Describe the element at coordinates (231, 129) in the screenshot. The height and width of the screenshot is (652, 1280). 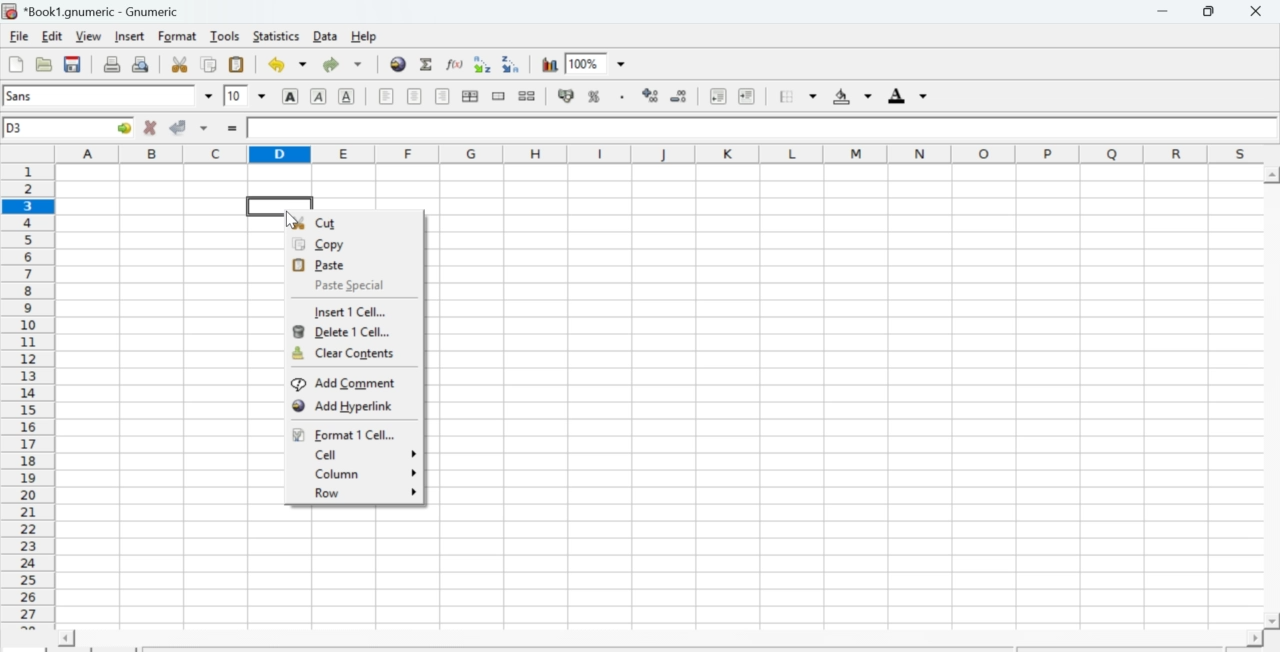
I see `=` at that location.